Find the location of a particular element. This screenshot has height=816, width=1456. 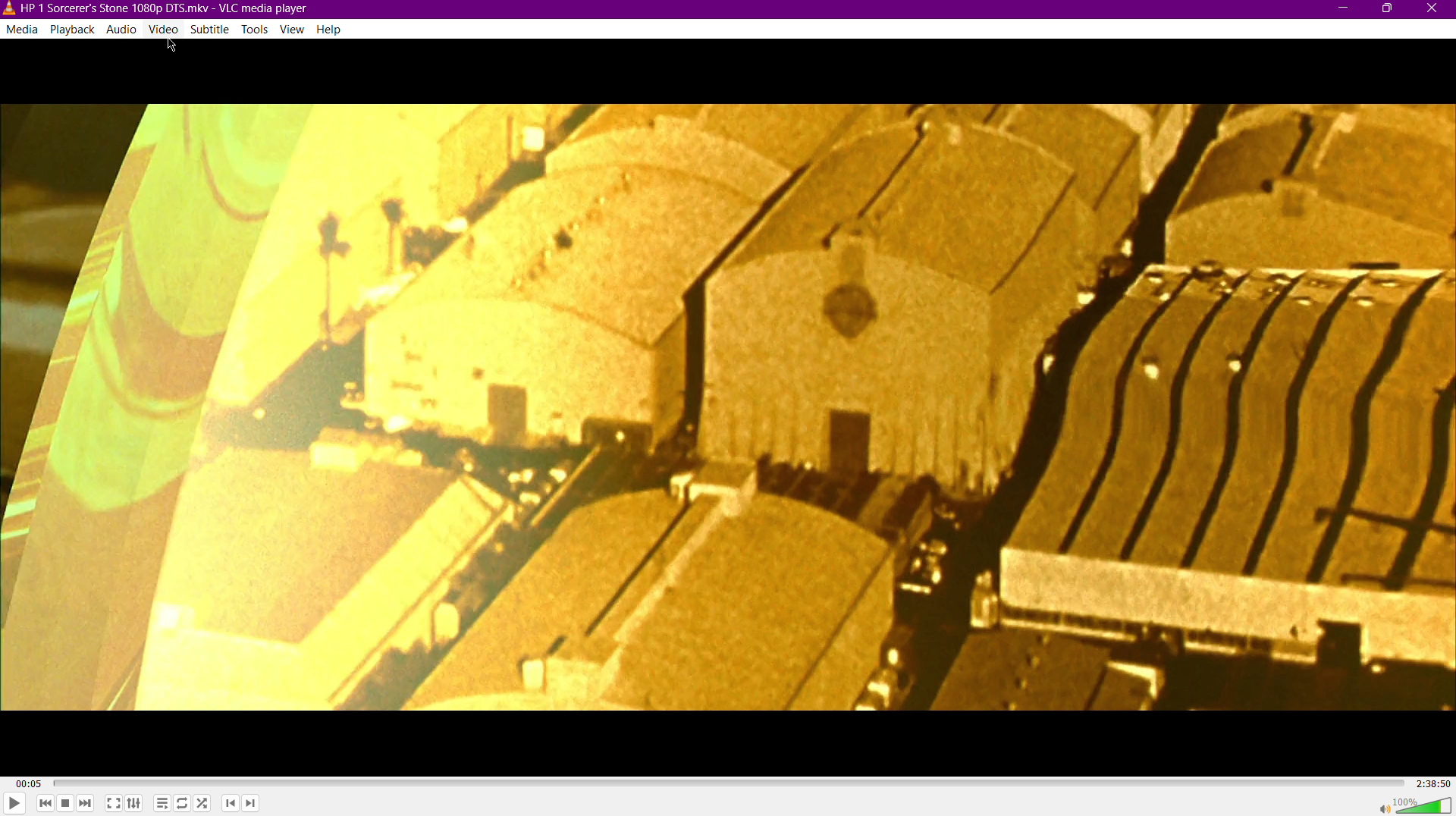

Volume 100% is located at coordinates (1412, 804).